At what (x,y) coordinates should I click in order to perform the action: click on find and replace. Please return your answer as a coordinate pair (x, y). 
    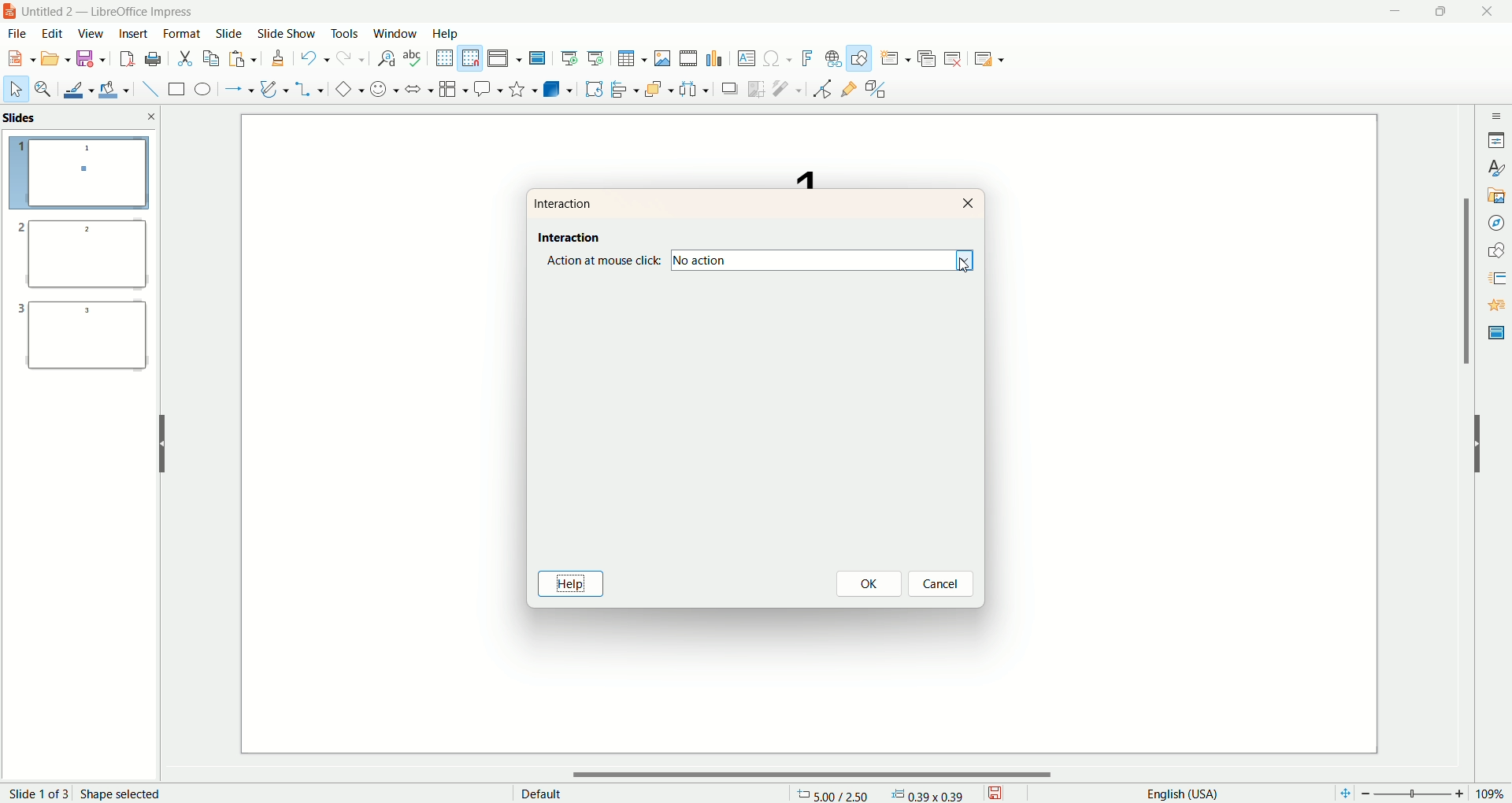
    Looking at the image, I should click on (384, 60).